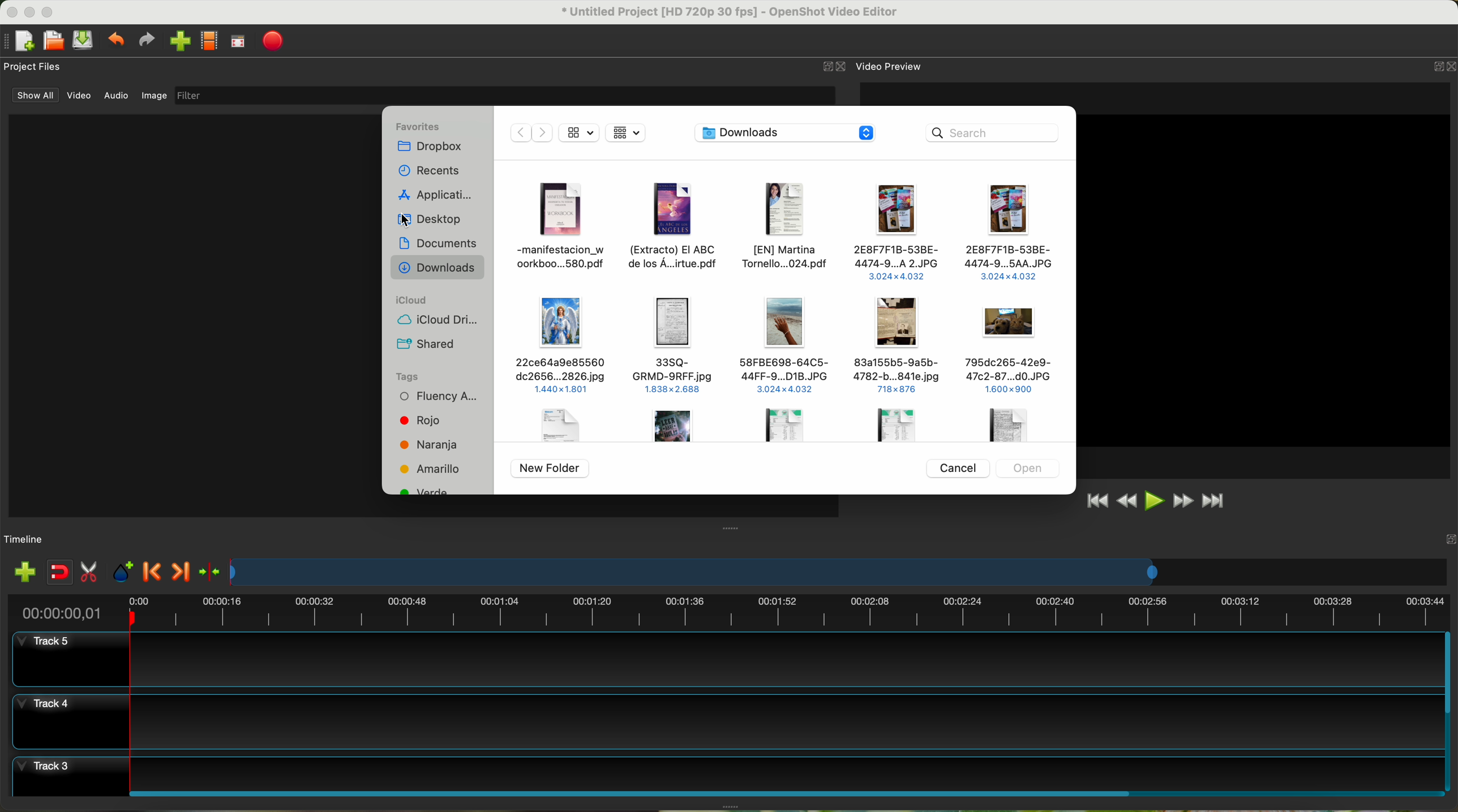 The height and width of the screenshot is (812, 1458). I want to click on enable razor, so click(89, 573).